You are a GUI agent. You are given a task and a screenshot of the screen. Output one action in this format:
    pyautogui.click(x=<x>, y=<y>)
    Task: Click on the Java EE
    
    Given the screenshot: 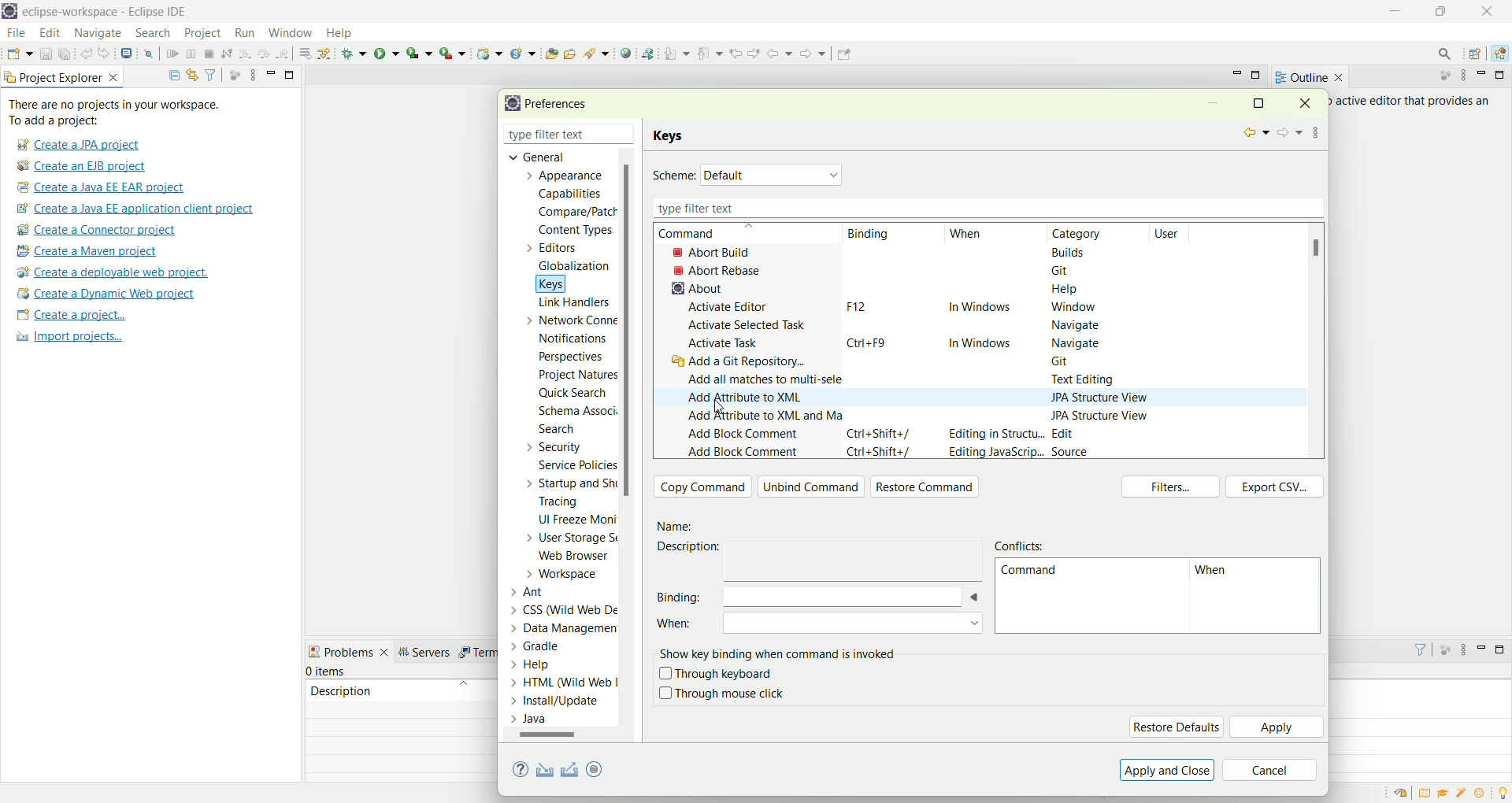 What is the action you would take?
    pyautogui.click(x=1503, y=54)
    